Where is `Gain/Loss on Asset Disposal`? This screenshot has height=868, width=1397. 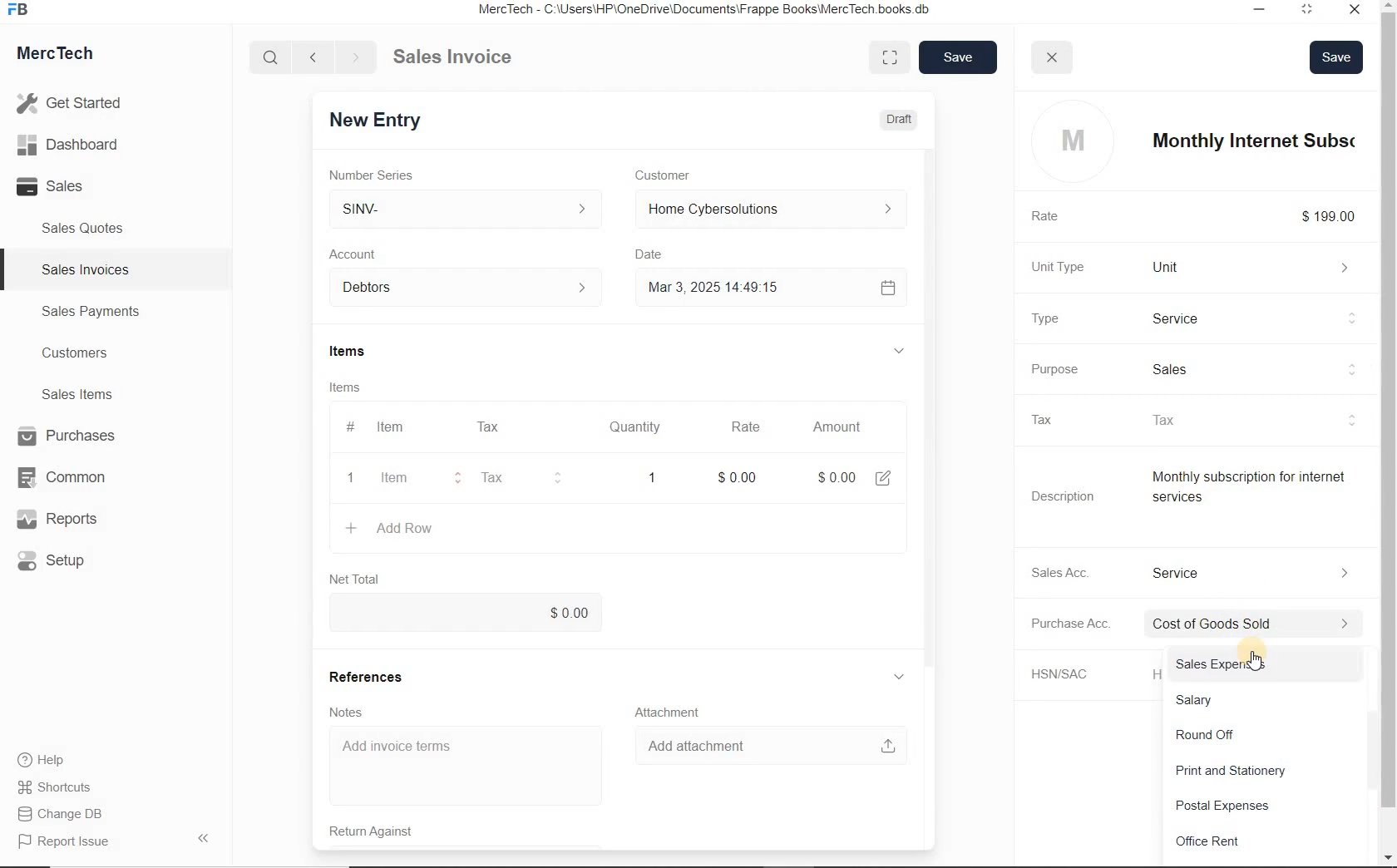
Gain/Loss on Asset Disposal is located at coordinates (1266, 668).